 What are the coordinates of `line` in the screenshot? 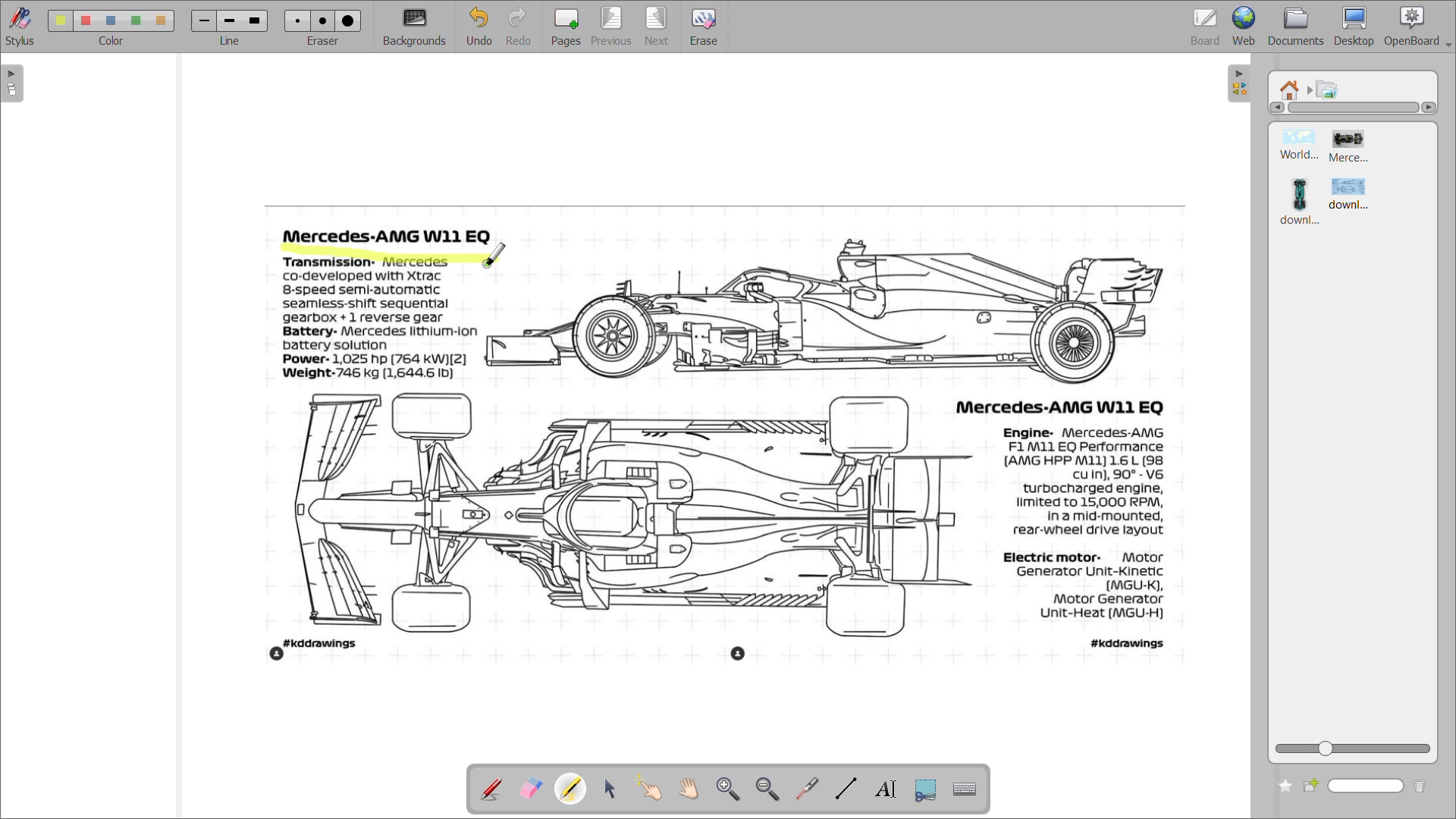 It's located at (230, 40).